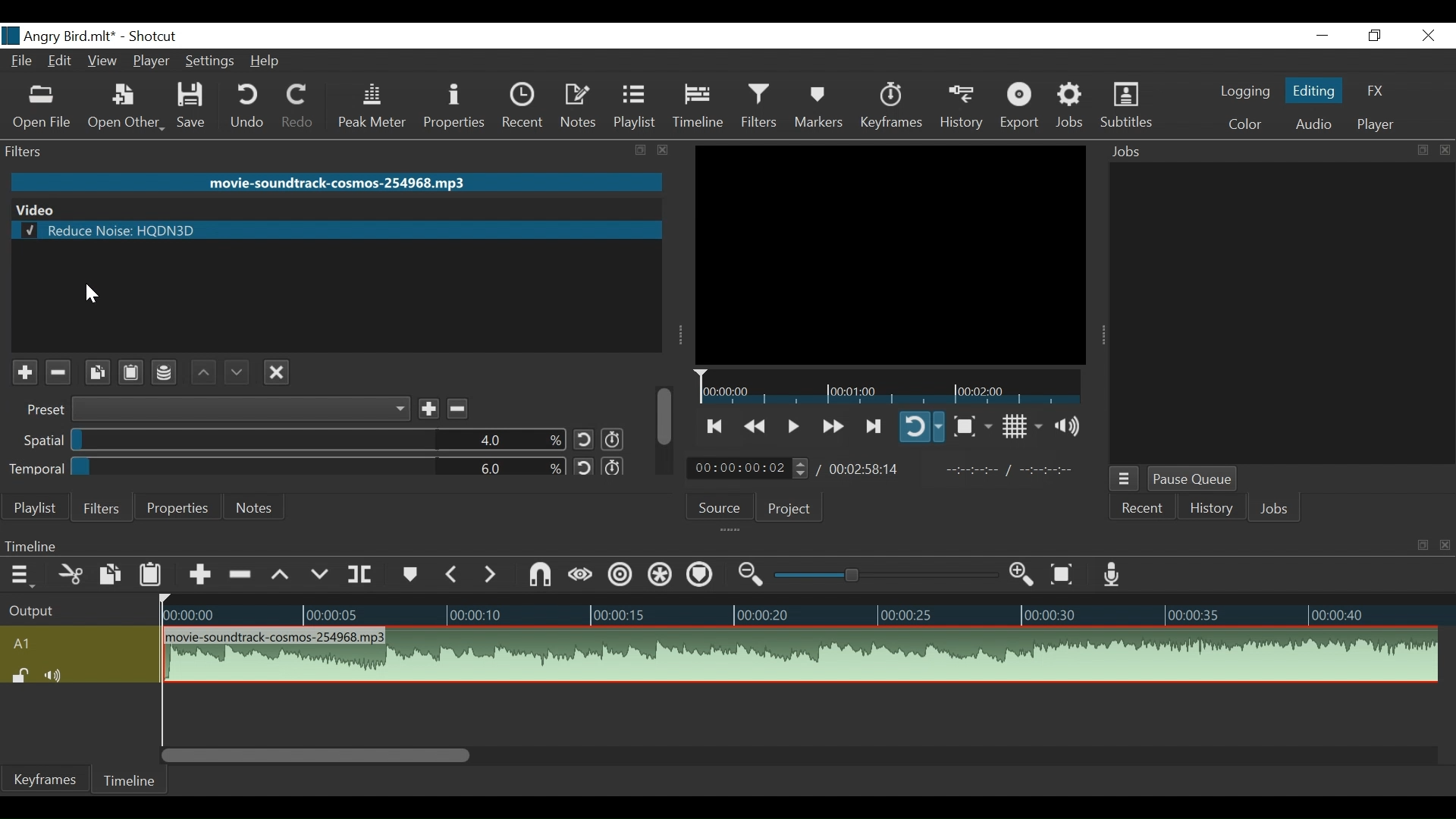  Describe the element at coordinates (199, 573) in the screenshot. I see `Append` at that location.